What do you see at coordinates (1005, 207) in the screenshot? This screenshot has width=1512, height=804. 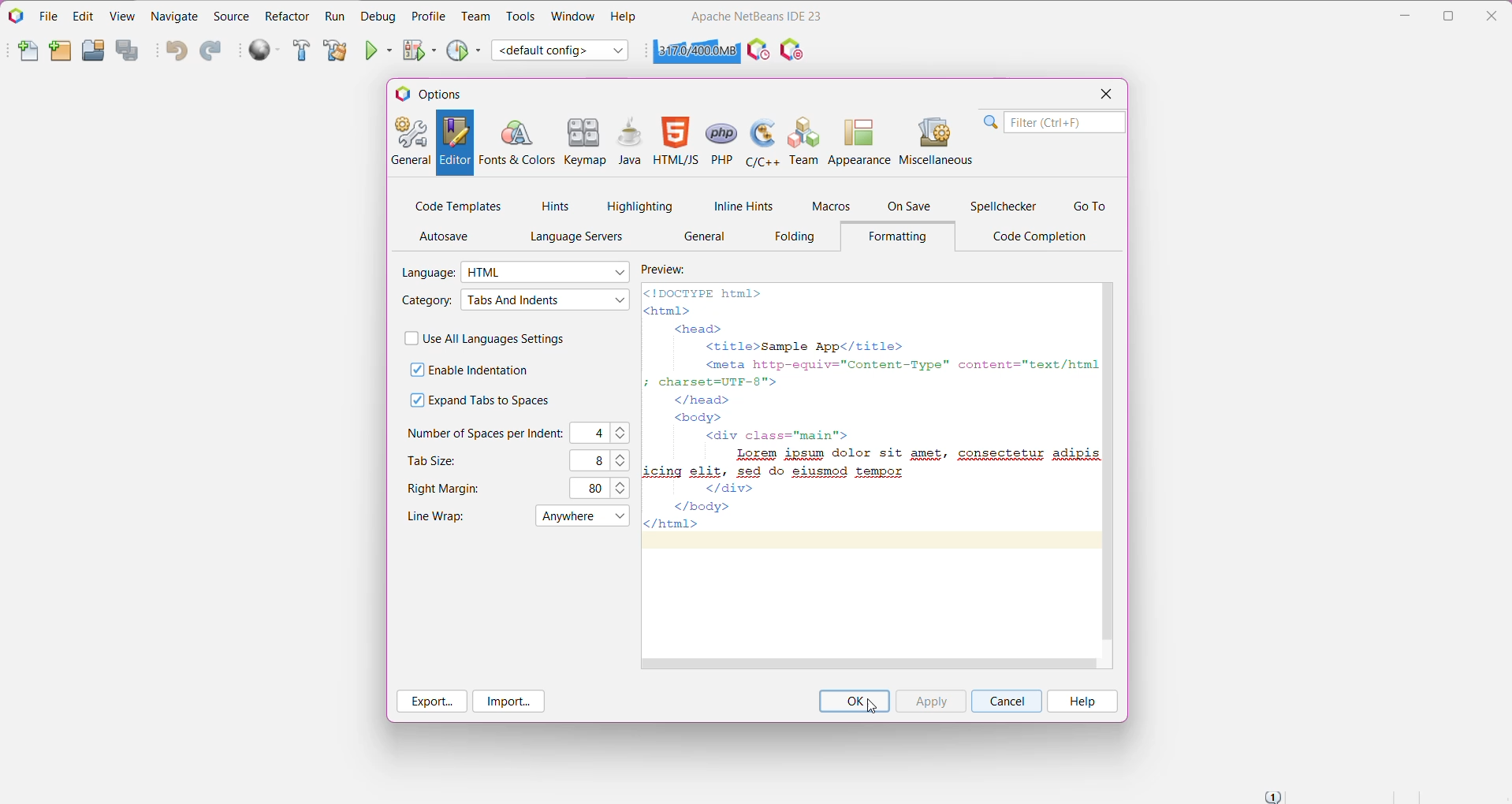 I see `Spellchecker` at bounding box center [1005, 207].